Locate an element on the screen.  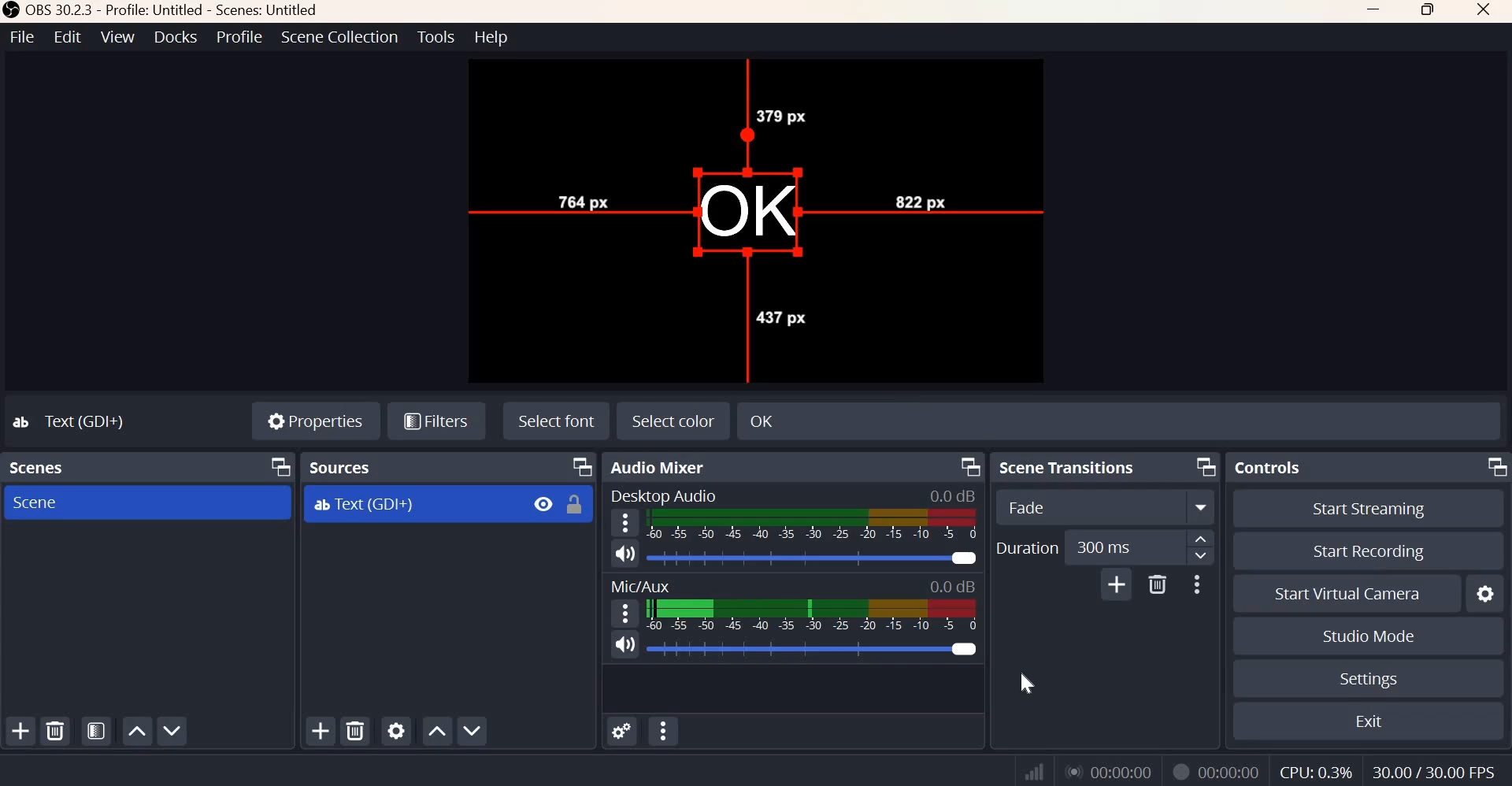
increase duration is located at coordinates (1201, 538).